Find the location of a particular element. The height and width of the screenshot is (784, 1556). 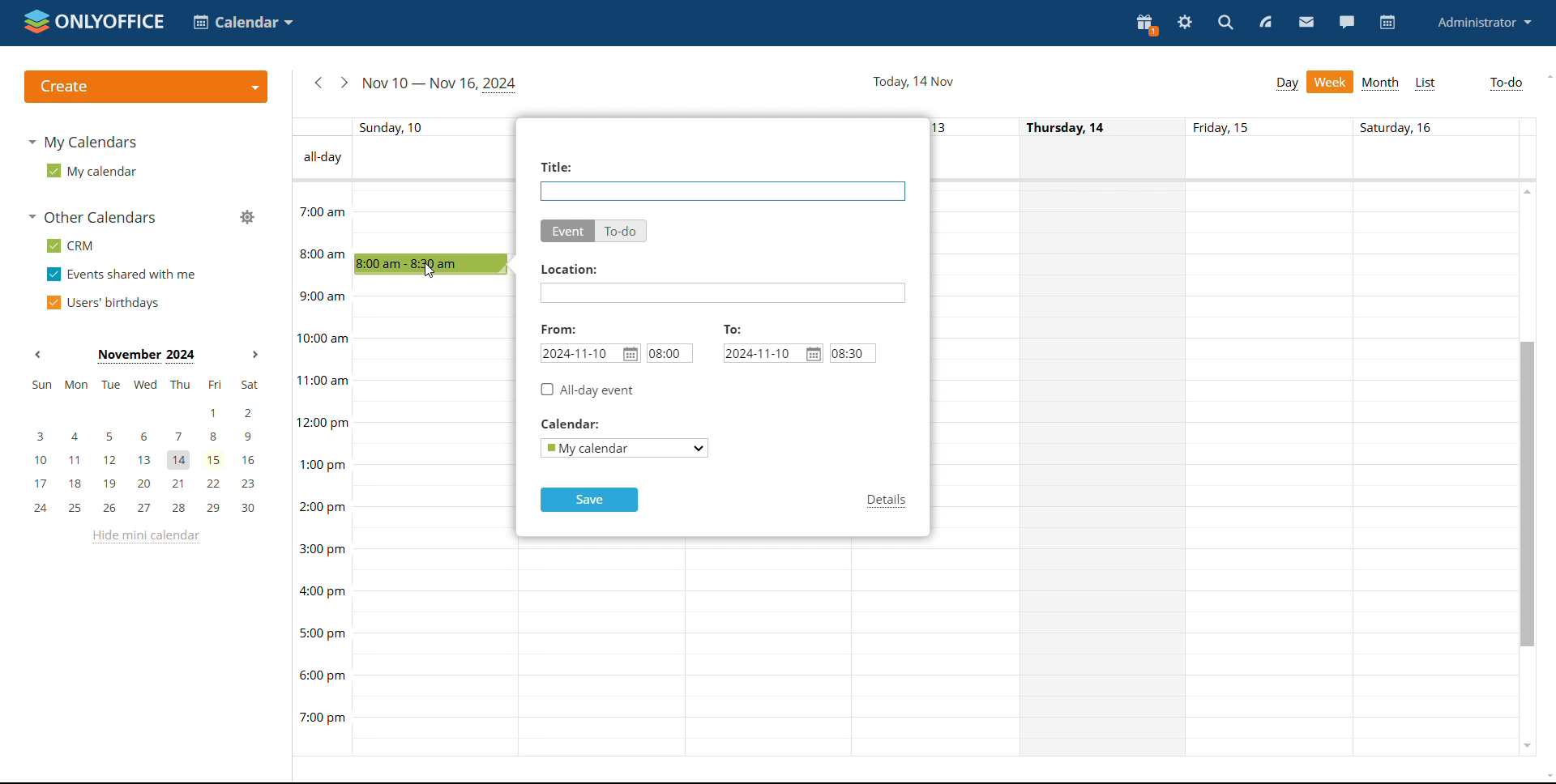

event is located at coordinates (567, 230).